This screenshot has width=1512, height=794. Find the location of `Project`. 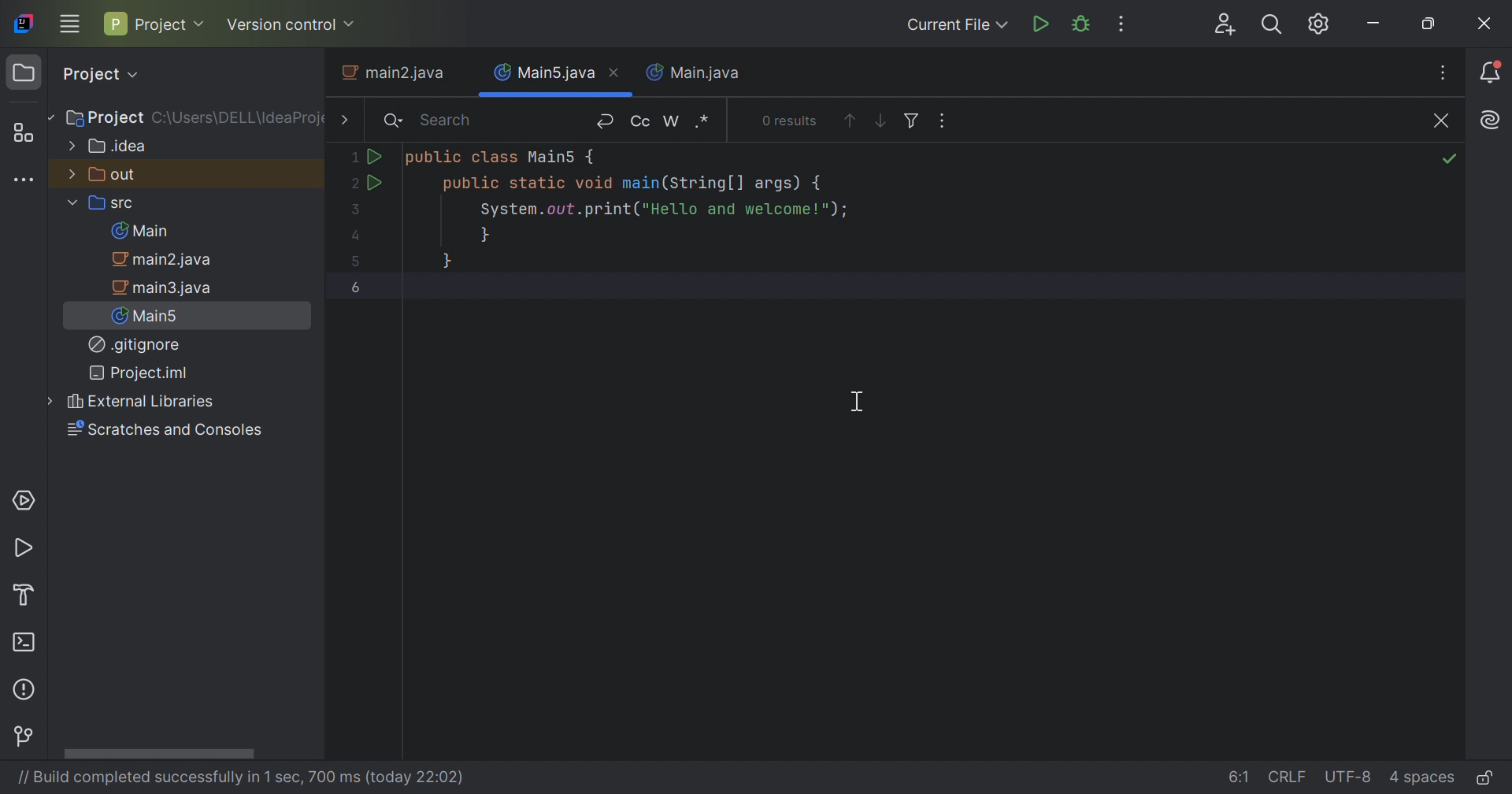

Project is located at coordinates (103, 119).